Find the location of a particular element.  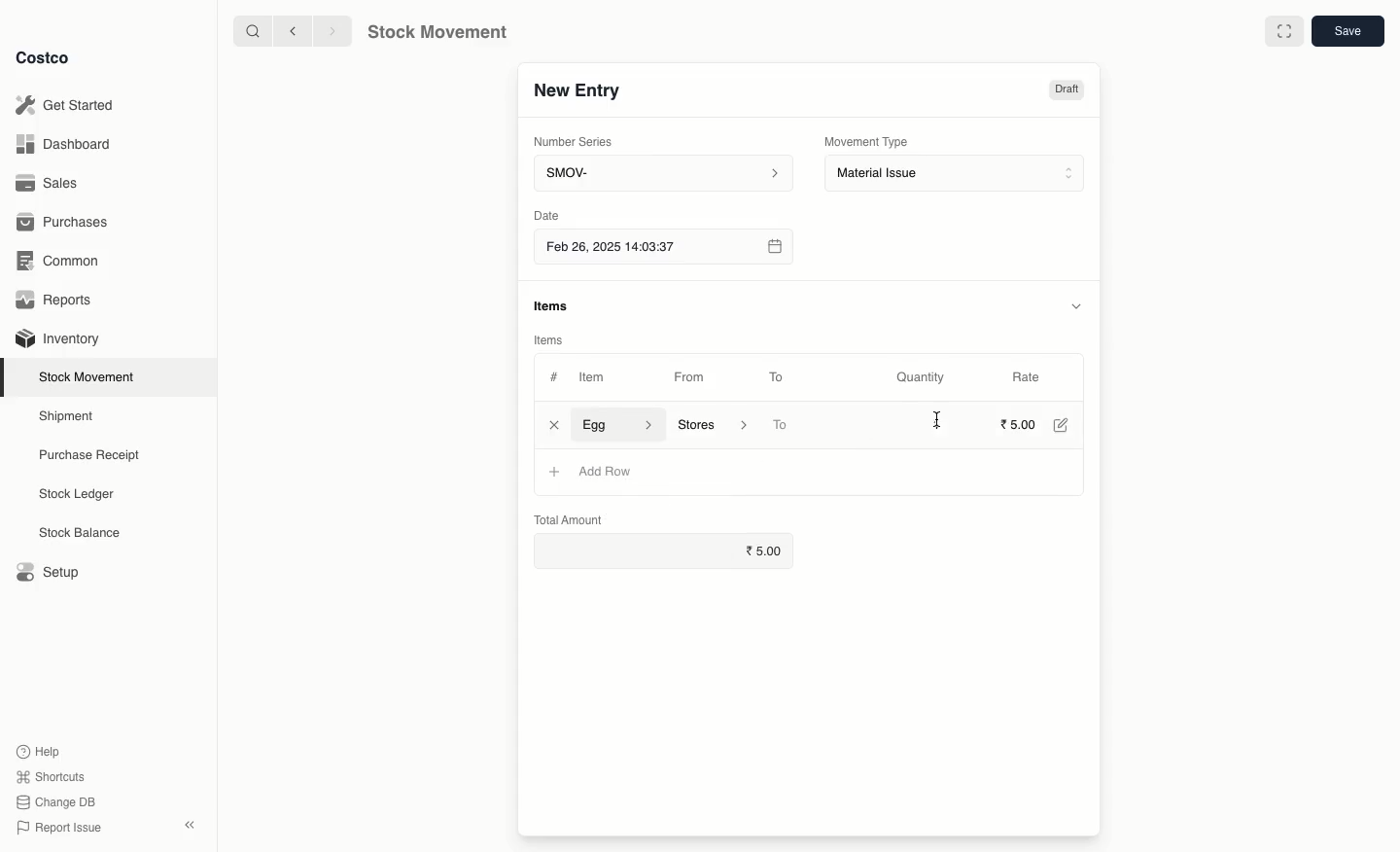

forward is located at coordinates (328, 30).